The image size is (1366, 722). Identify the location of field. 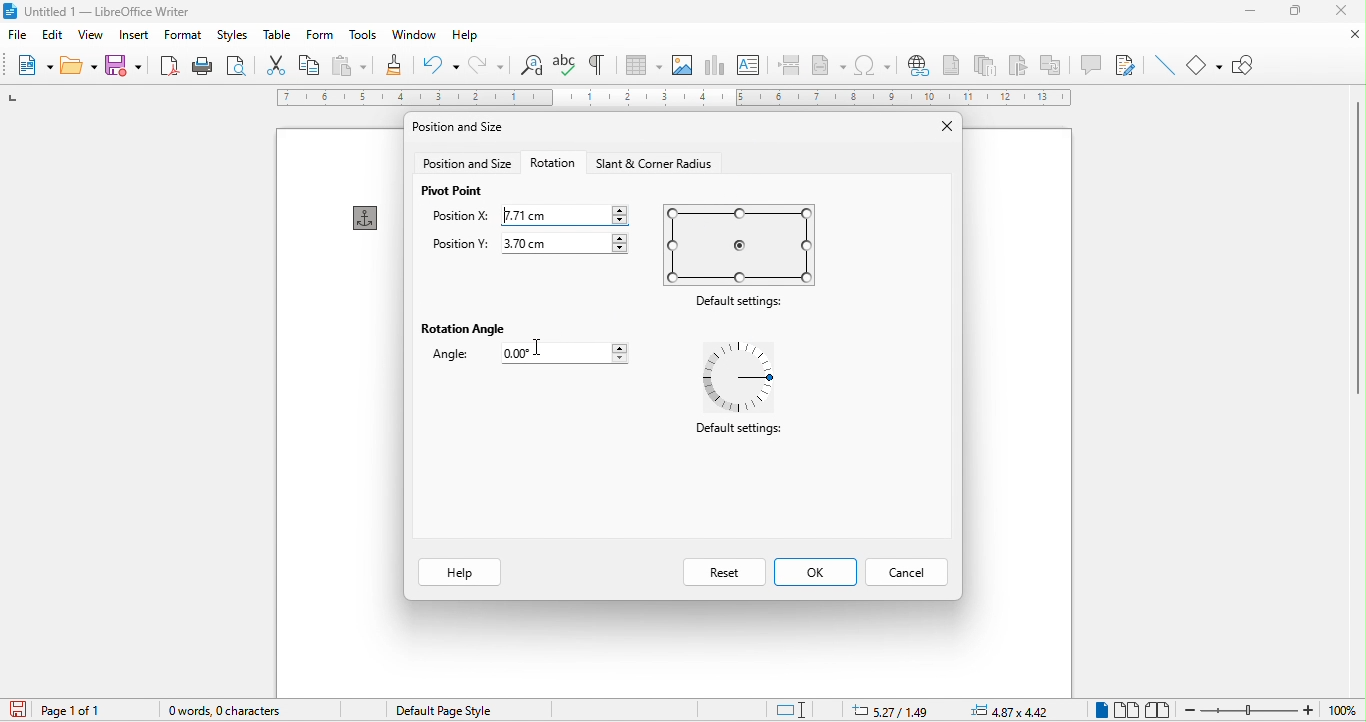
(829, 63).